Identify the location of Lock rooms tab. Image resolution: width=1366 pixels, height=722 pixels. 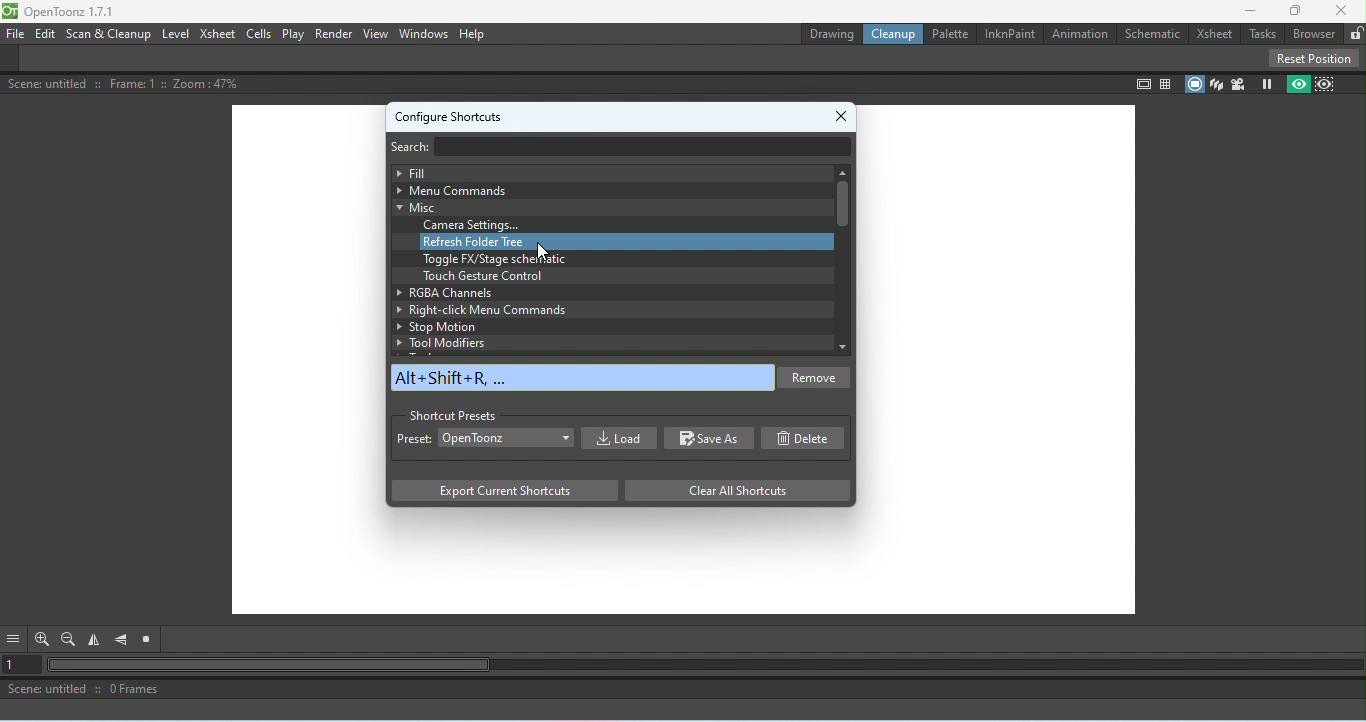
(1355, 32).